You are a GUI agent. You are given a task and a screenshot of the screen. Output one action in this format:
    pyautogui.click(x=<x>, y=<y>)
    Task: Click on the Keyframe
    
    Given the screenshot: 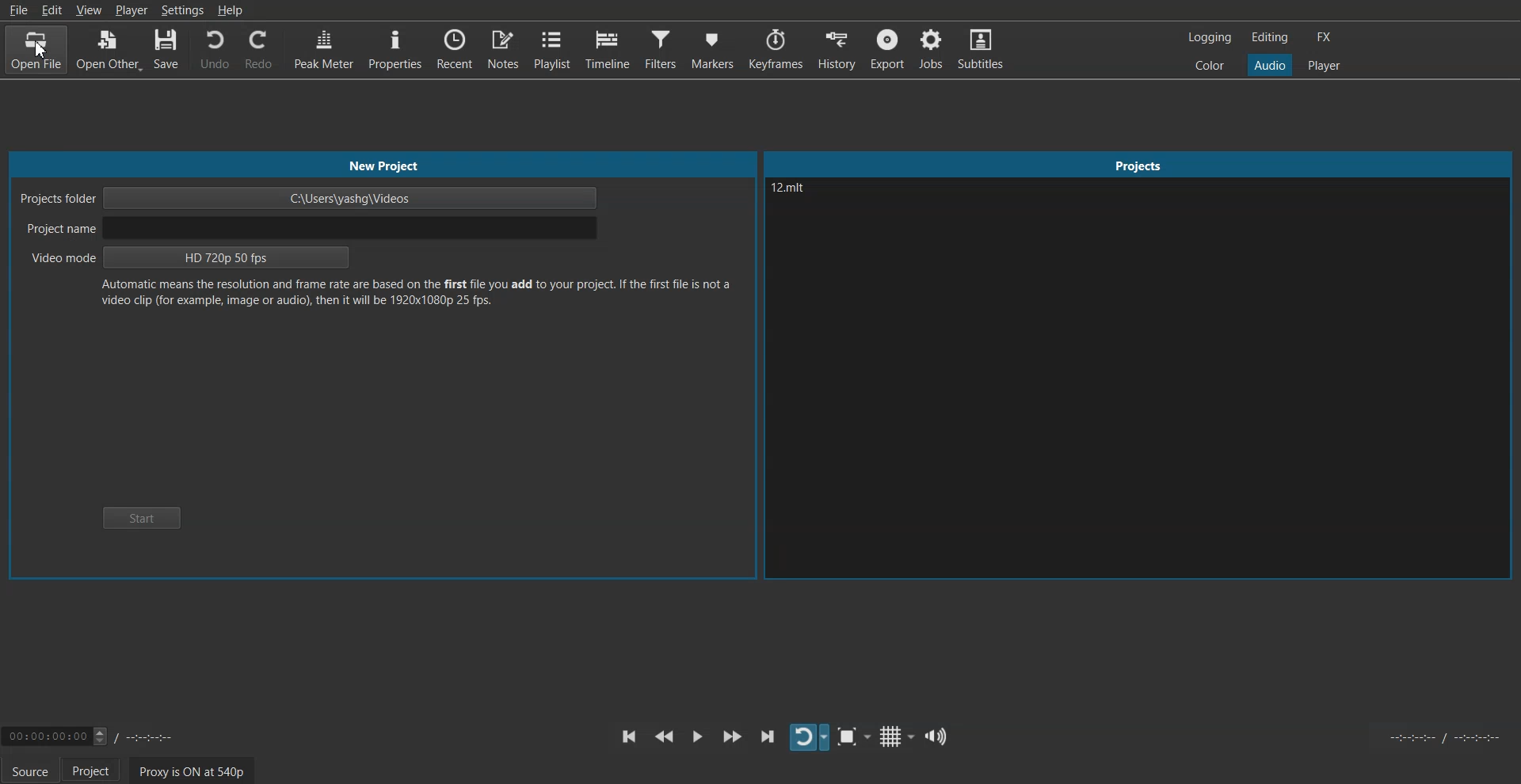 What is the action you would take?
    pyautogui.click(x=776, y=49)
    